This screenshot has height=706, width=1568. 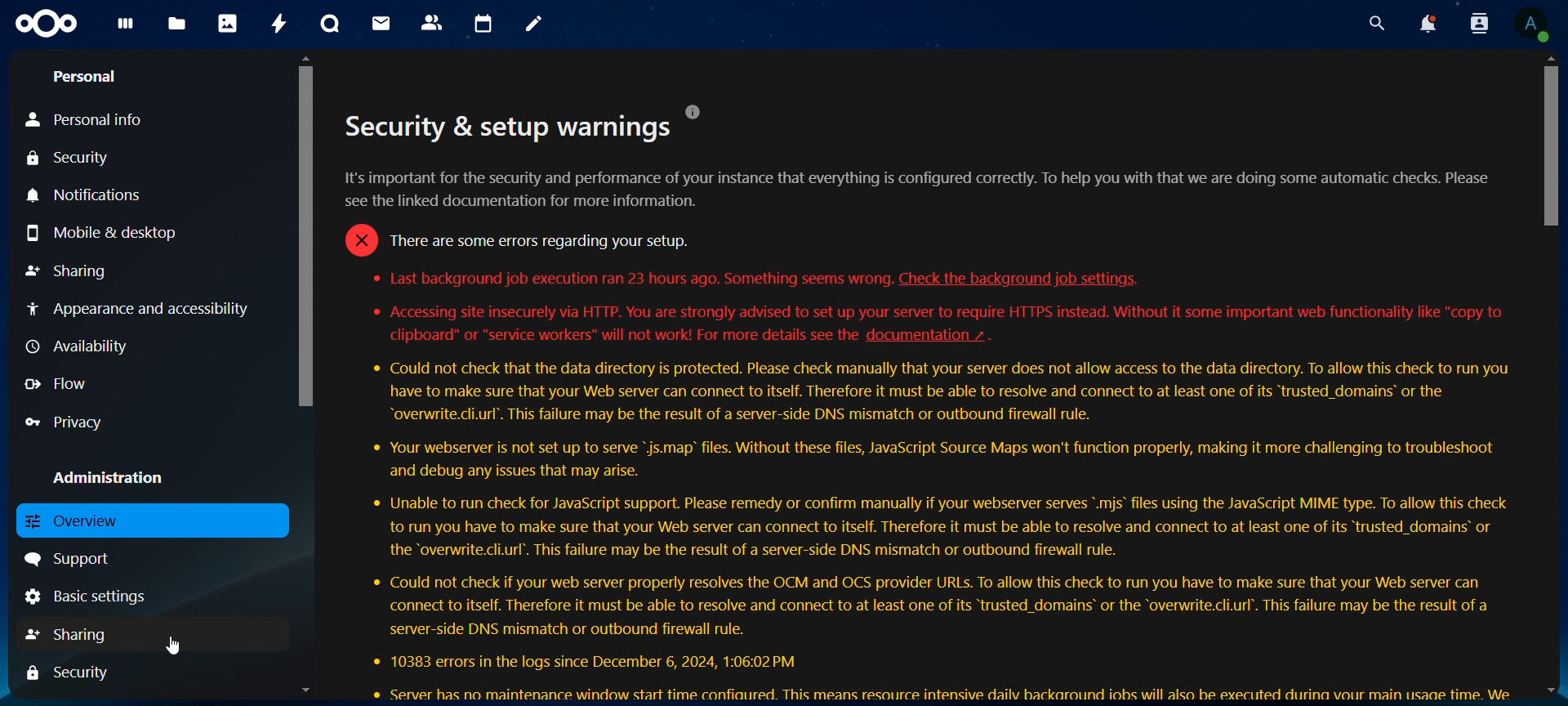 I want to click on availability, so click(x=78, y=346).